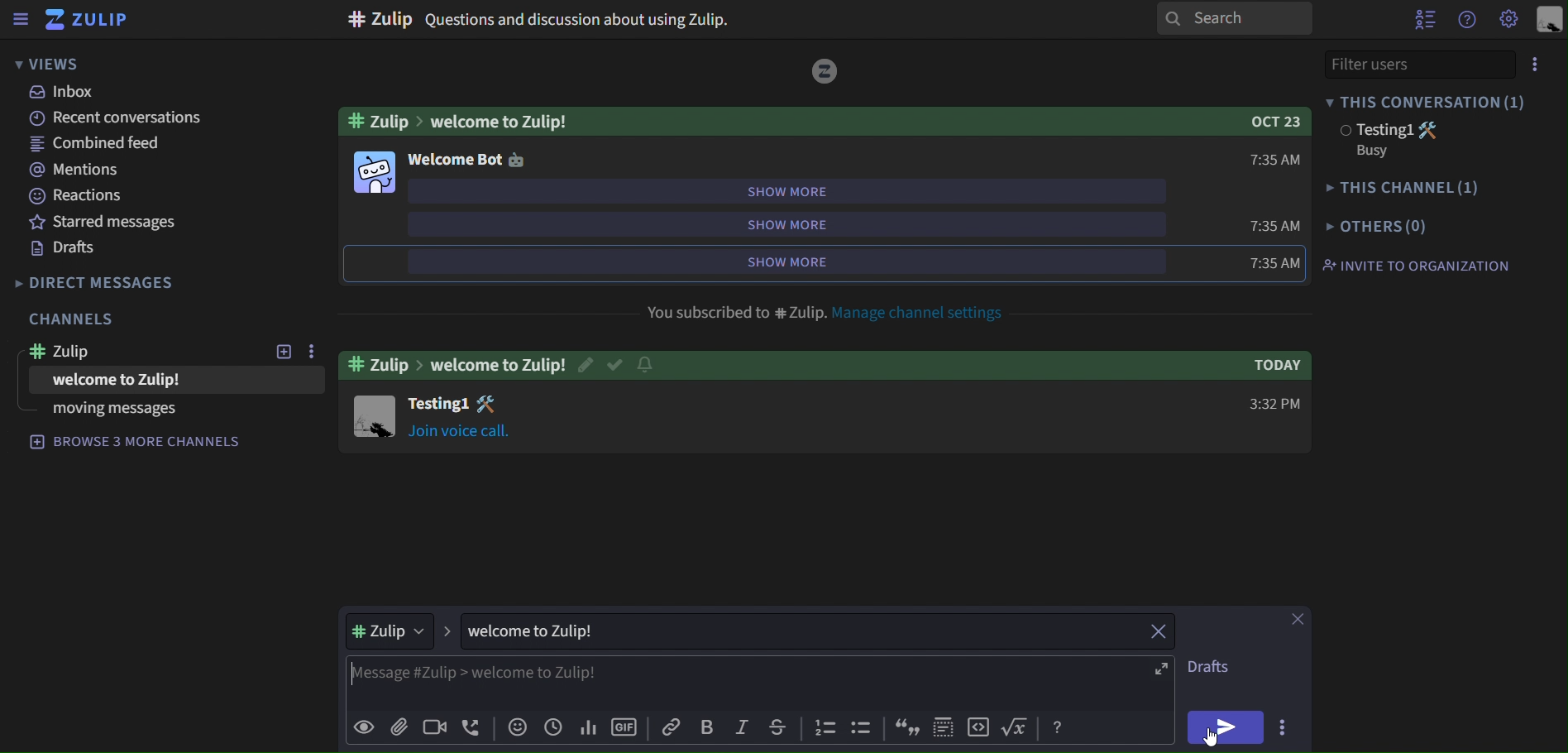 The image size is (1568, 753). Describe the element at coordinates (926, 314) in the screenshot. I see `Manage channel settings` at that location.